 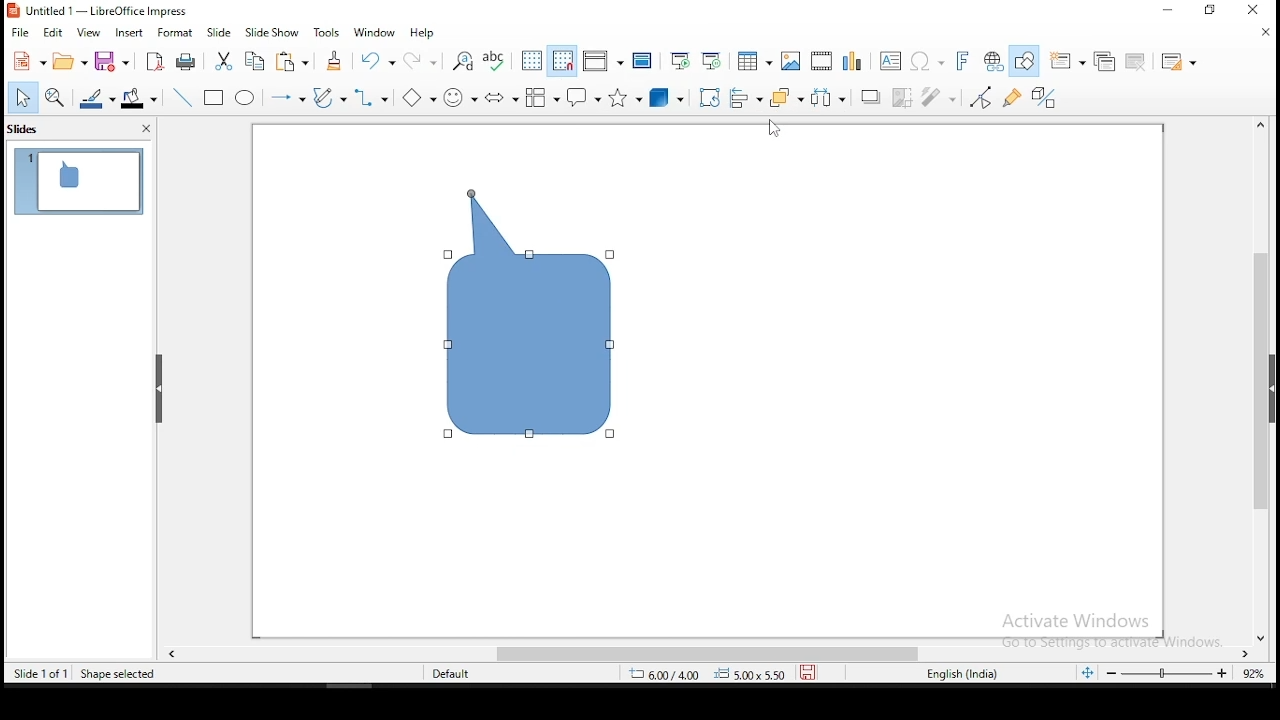 What do you see at coordinates (36, 674) in the screenshot?
I see `slide 1 of 1` at bounding box center [36, 674].